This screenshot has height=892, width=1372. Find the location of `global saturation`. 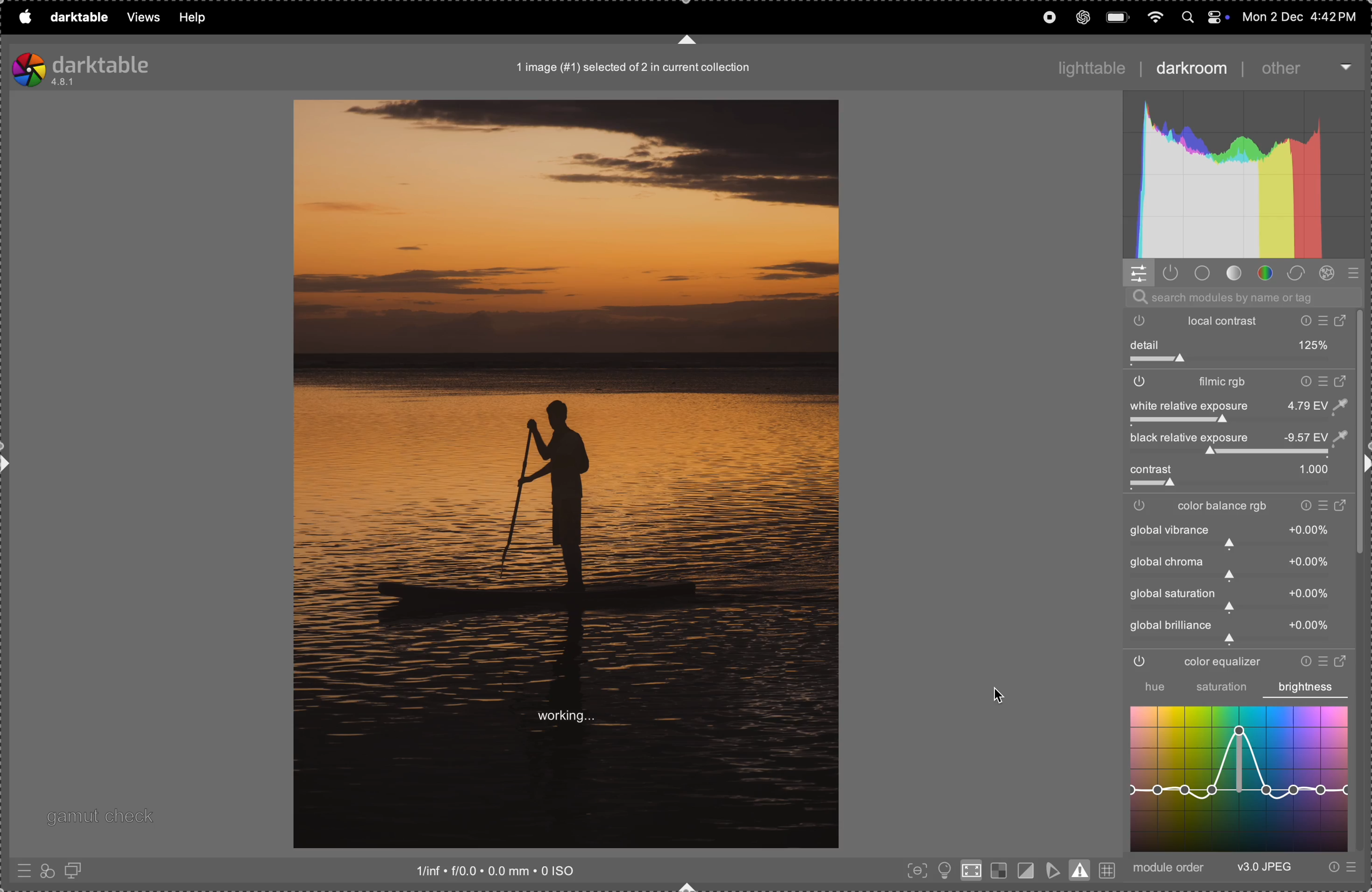

global saturation is located at coordinates (1235, 599).